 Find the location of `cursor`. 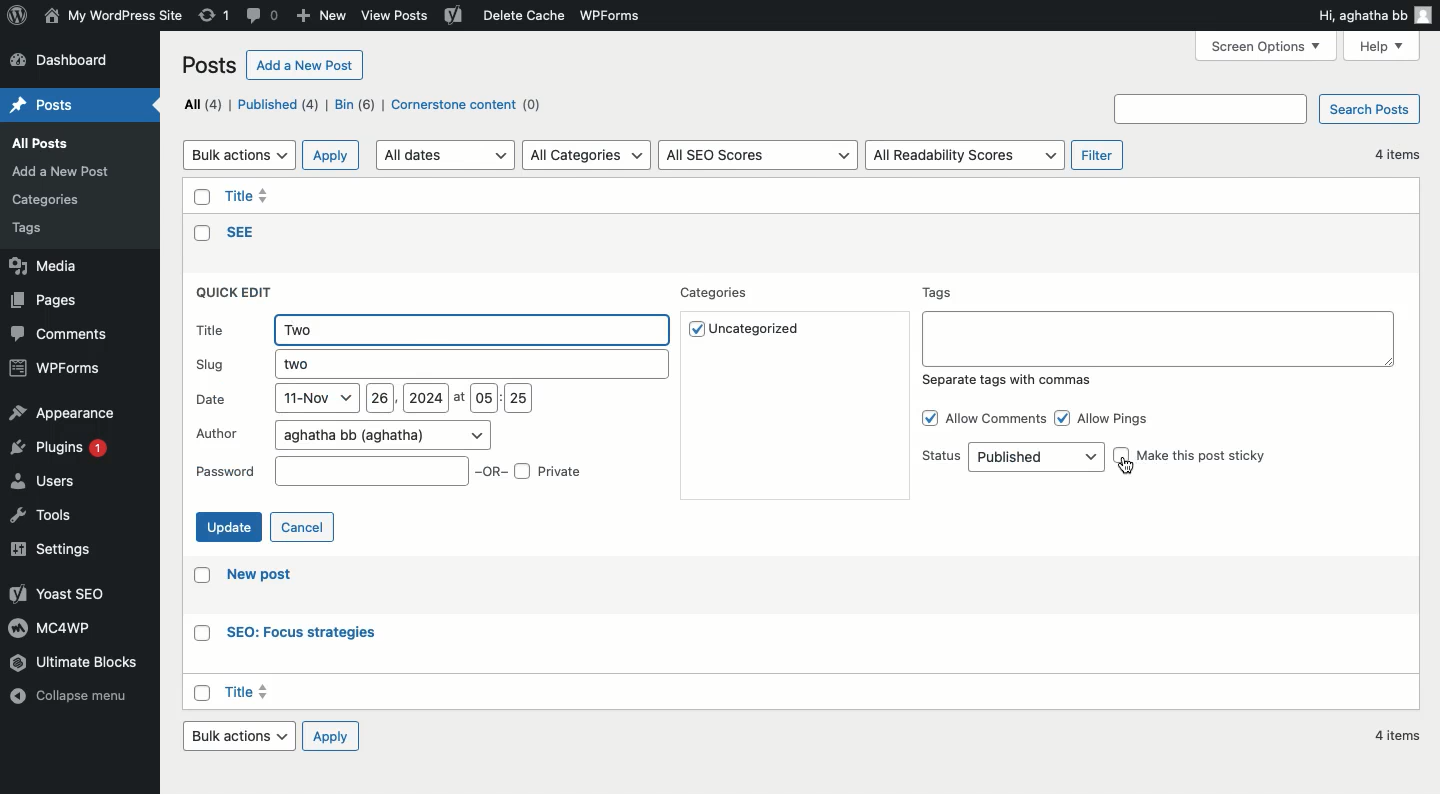

cursor is located at coordinates (1127, 466).